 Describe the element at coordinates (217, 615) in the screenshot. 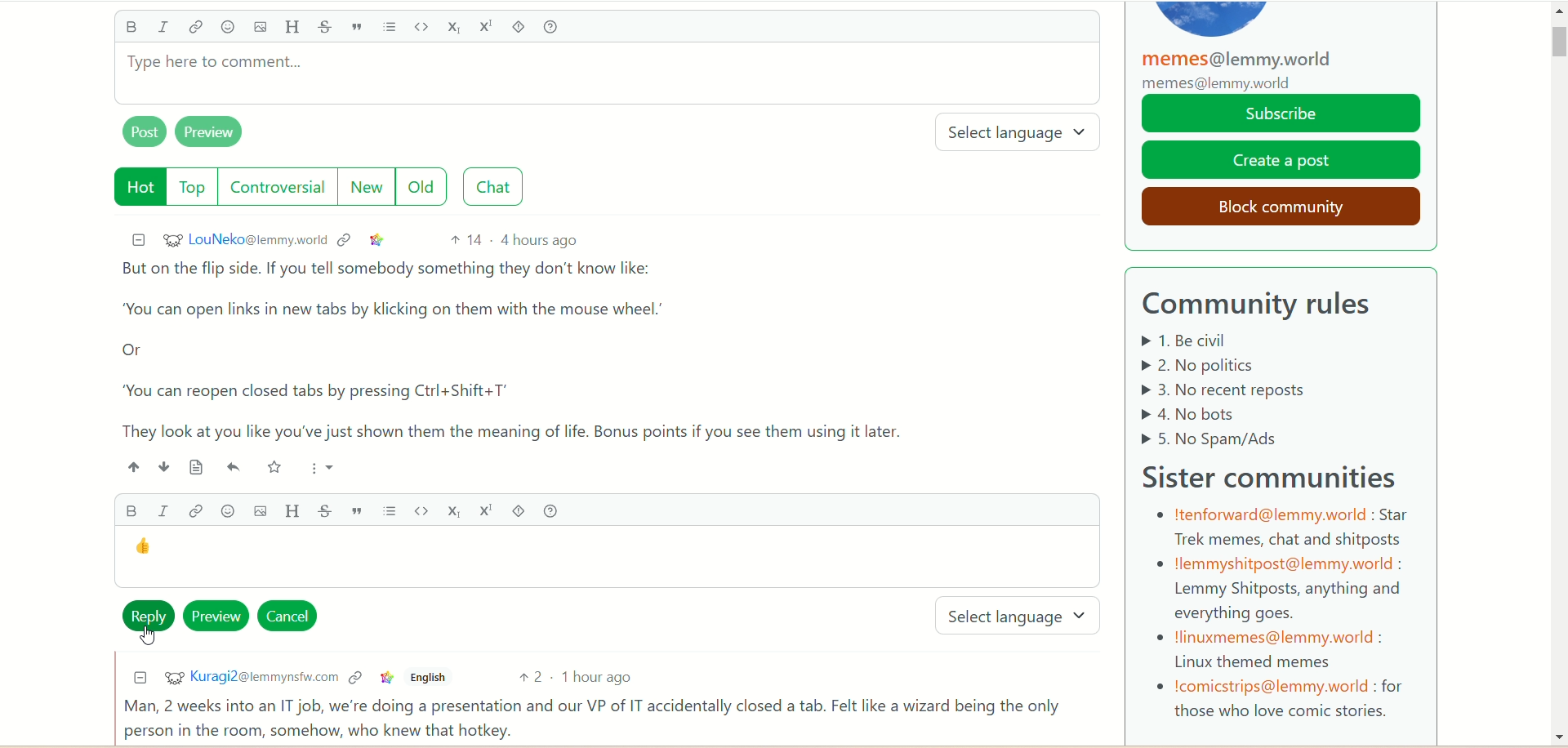

I see `preview` at that location.